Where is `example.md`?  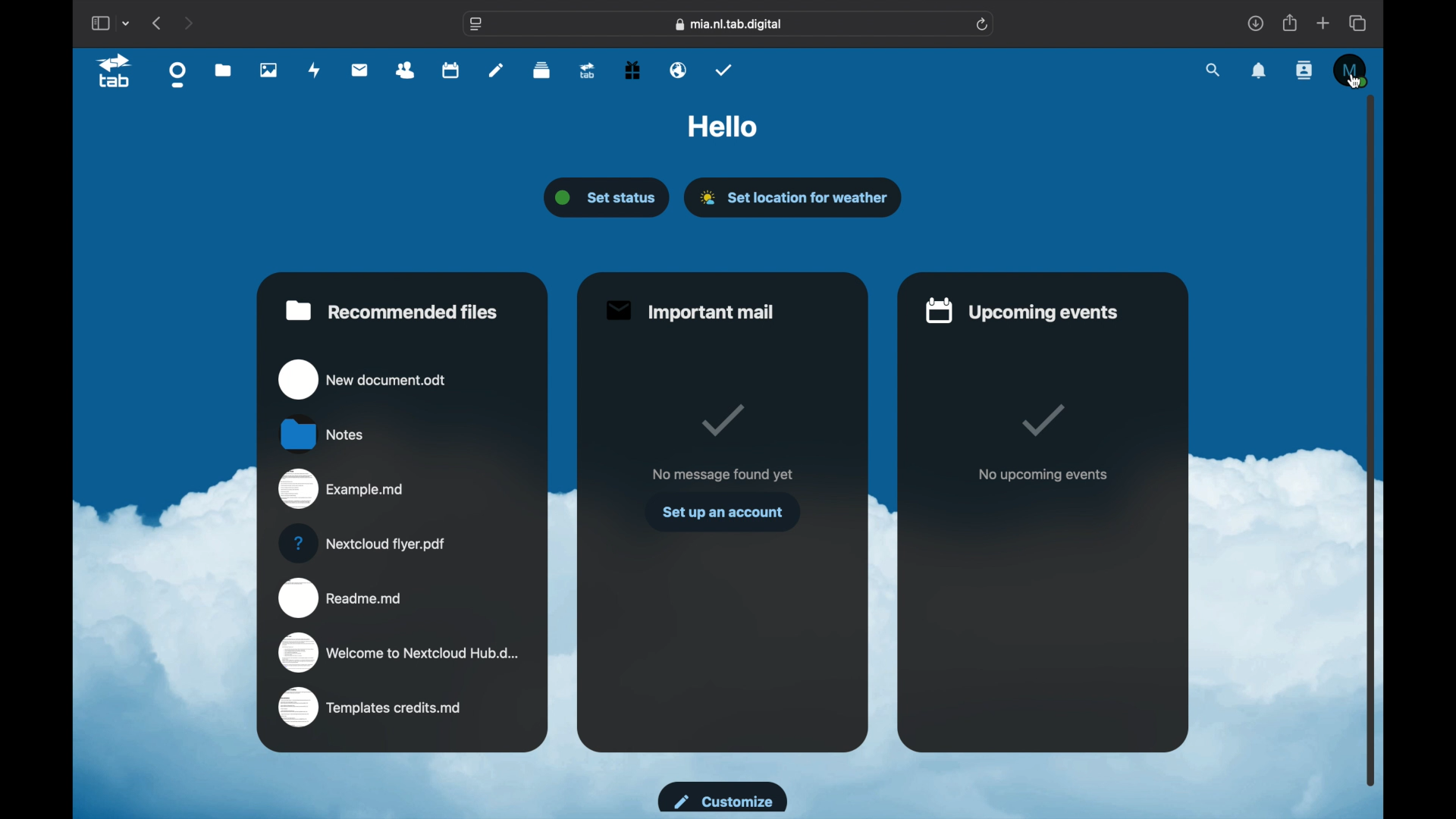
example.md is located at coordinates (343, 489).